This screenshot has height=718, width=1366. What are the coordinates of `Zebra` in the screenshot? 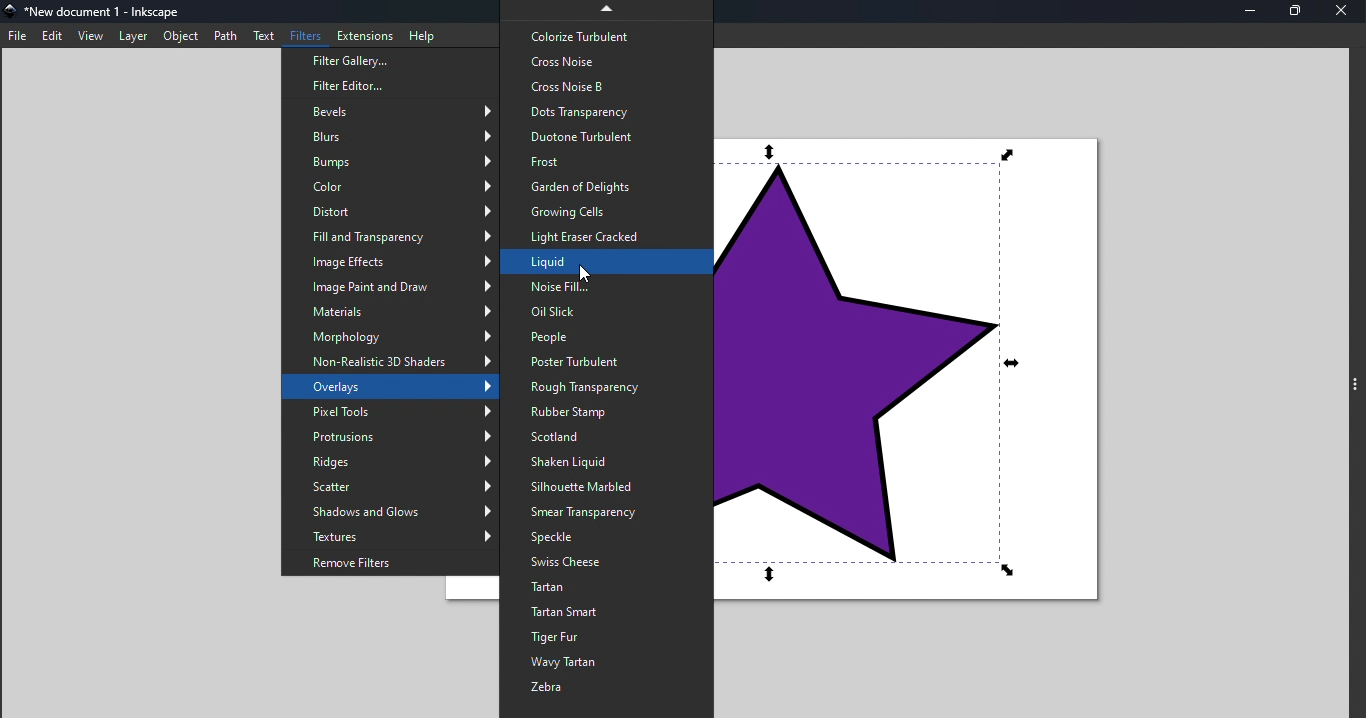 It's located at (609, 690).